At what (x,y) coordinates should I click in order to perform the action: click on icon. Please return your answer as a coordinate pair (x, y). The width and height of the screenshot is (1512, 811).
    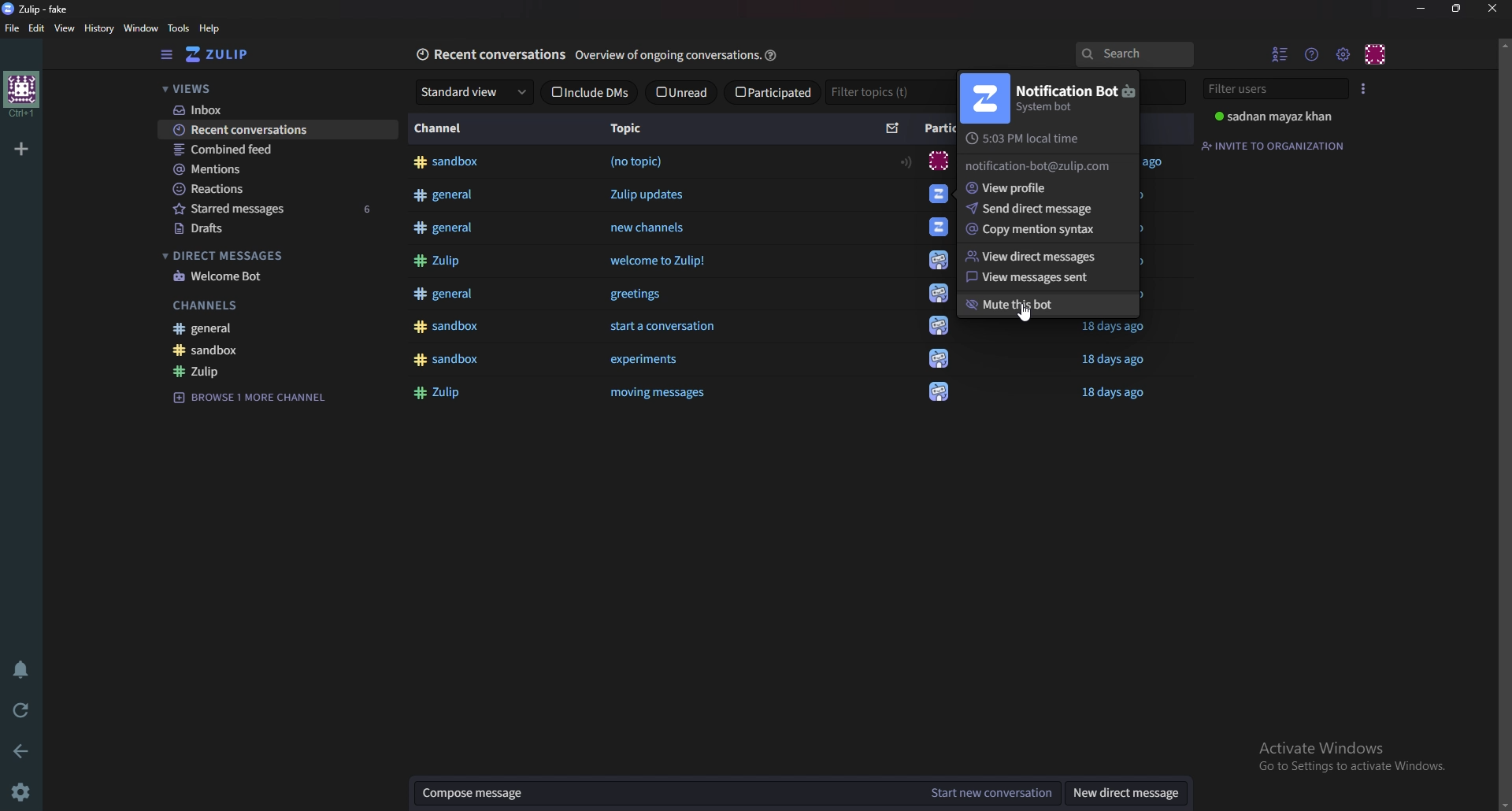
    Looking at the image, I should click on (937, 159).